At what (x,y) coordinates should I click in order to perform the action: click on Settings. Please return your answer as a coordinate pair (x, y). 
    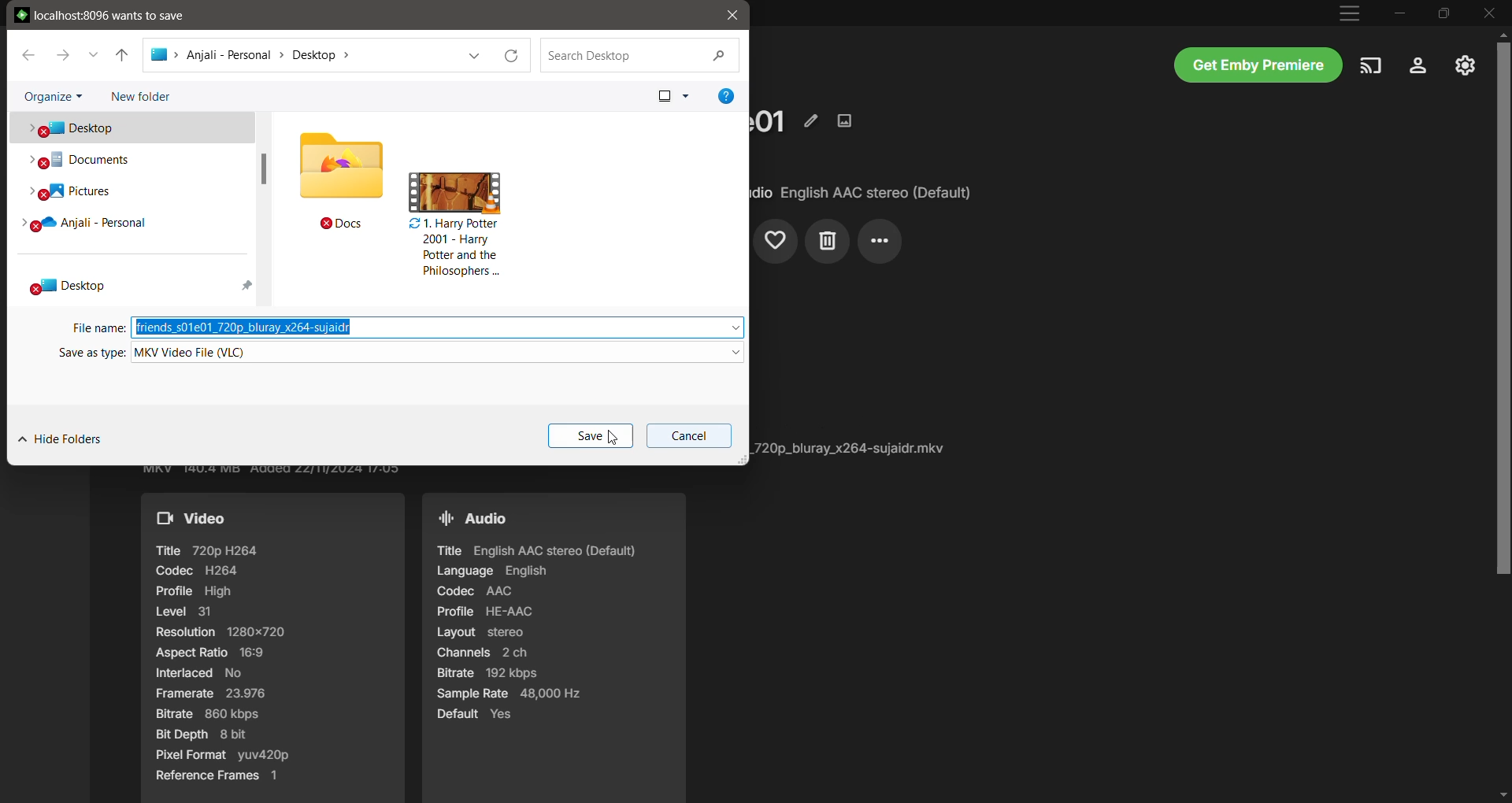
    Looking at the image, I should click on (1418, 66).